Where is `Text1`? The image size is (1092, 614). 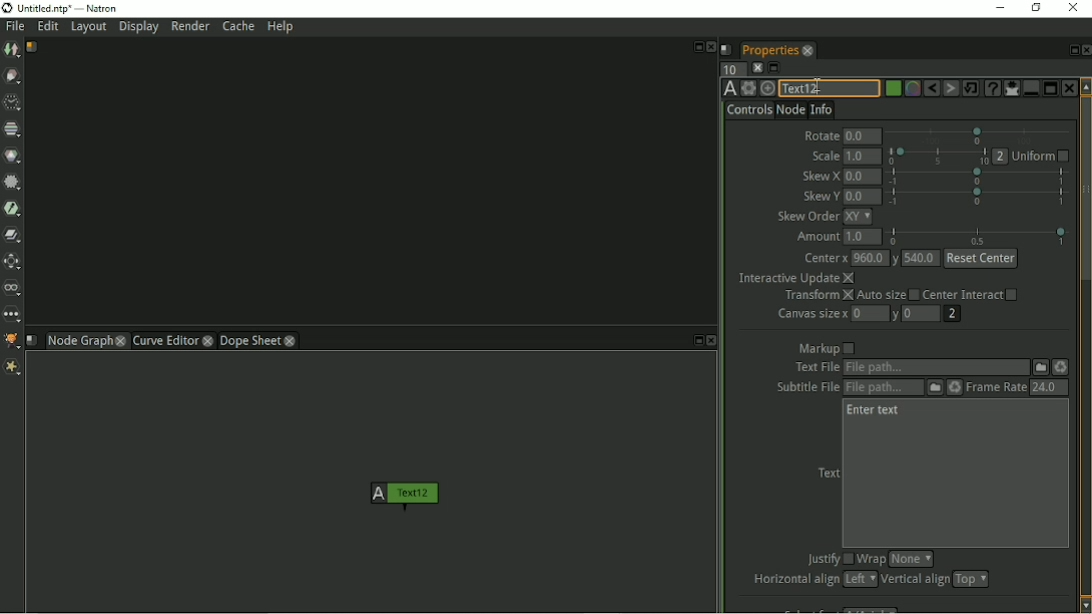 Text1 is located at coordinates (828, 89).